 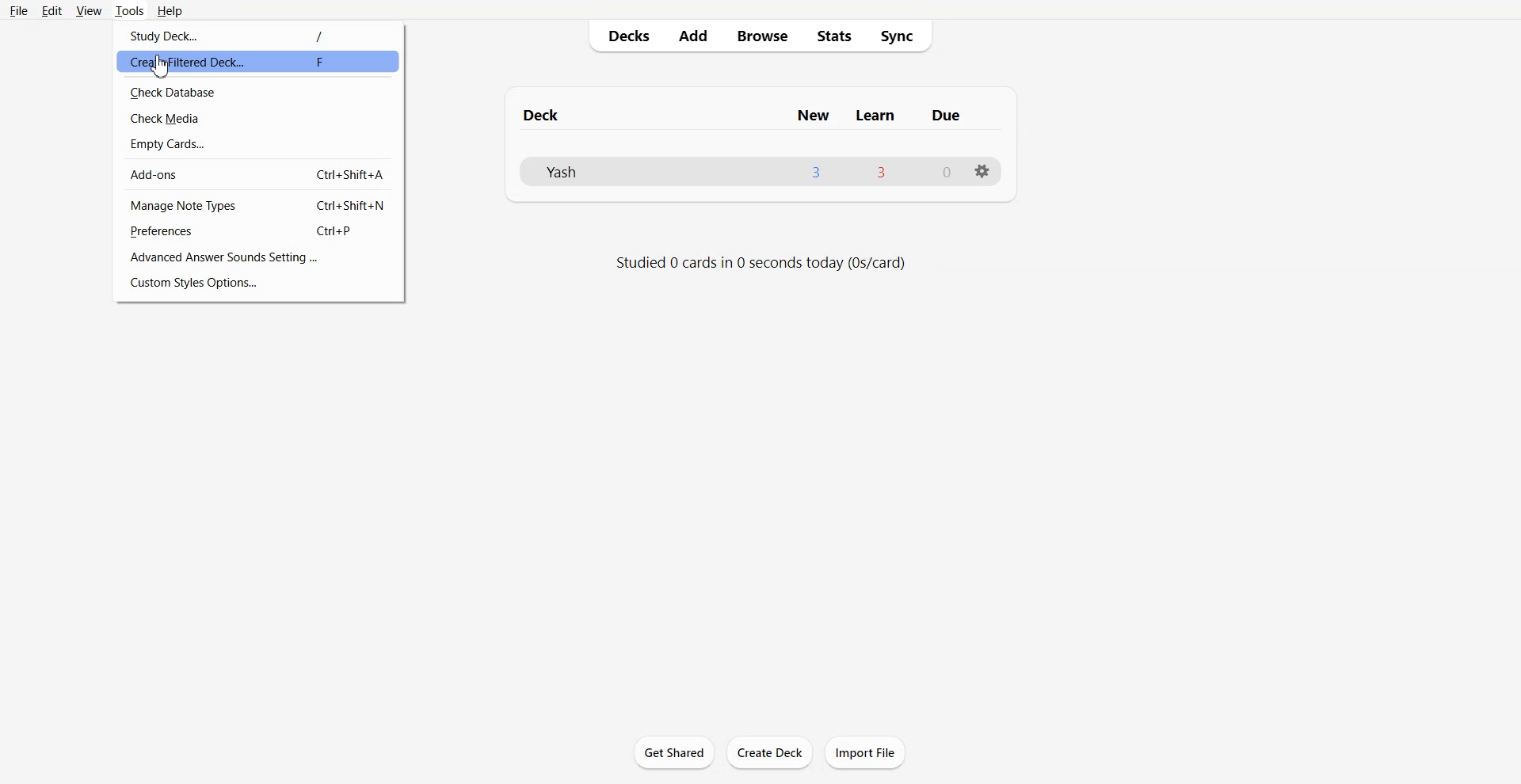 What do you see at coordinates (899, 36) in the screenshot?
I see `Sync` at bounding box center [899, 36].